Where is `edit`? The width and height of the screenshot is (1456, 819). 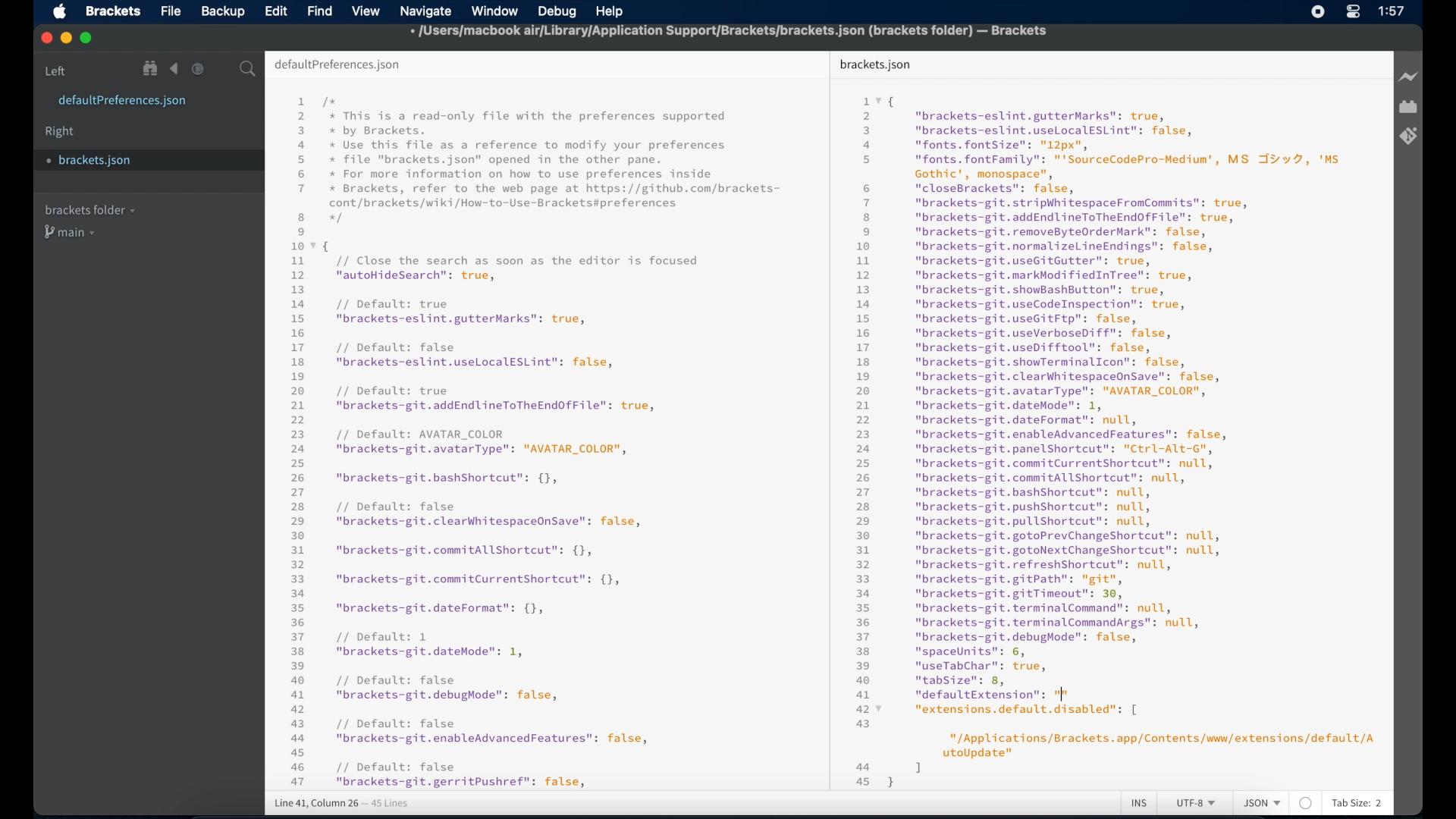 edit is located at coordinates (275, 11).